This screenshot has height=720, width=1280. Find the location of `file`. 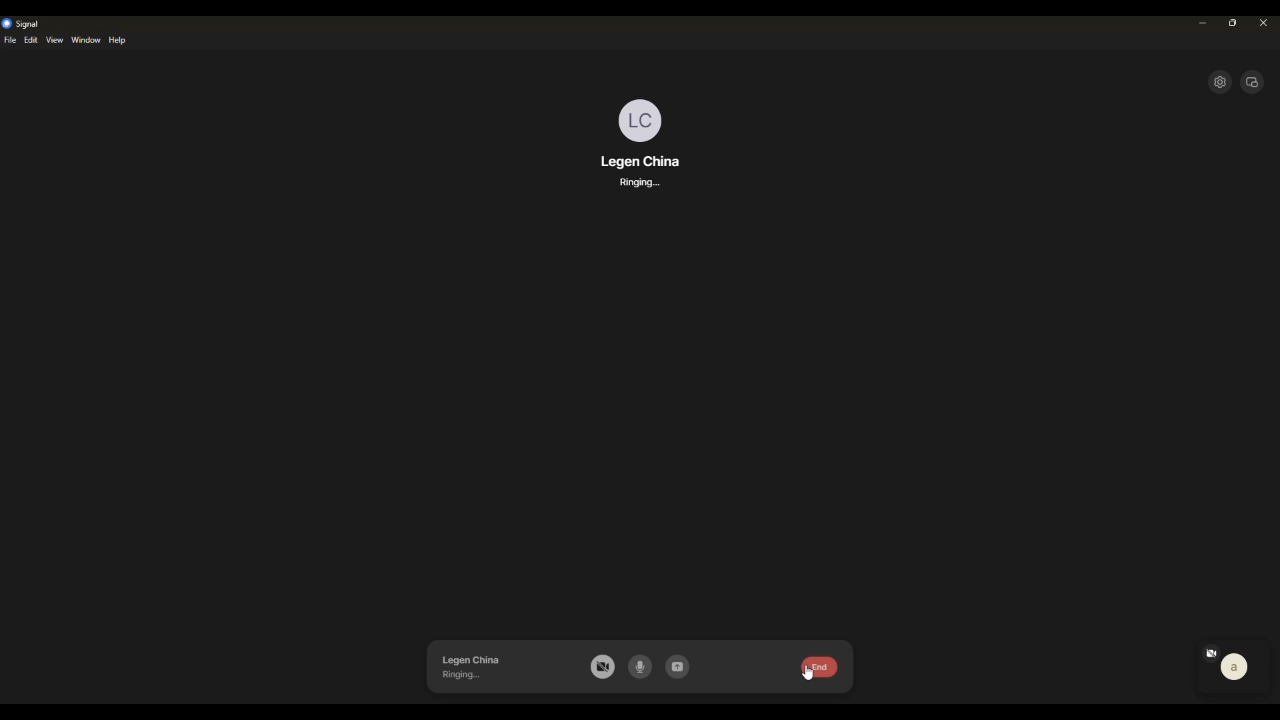

file is located at coordinates (12, 40).